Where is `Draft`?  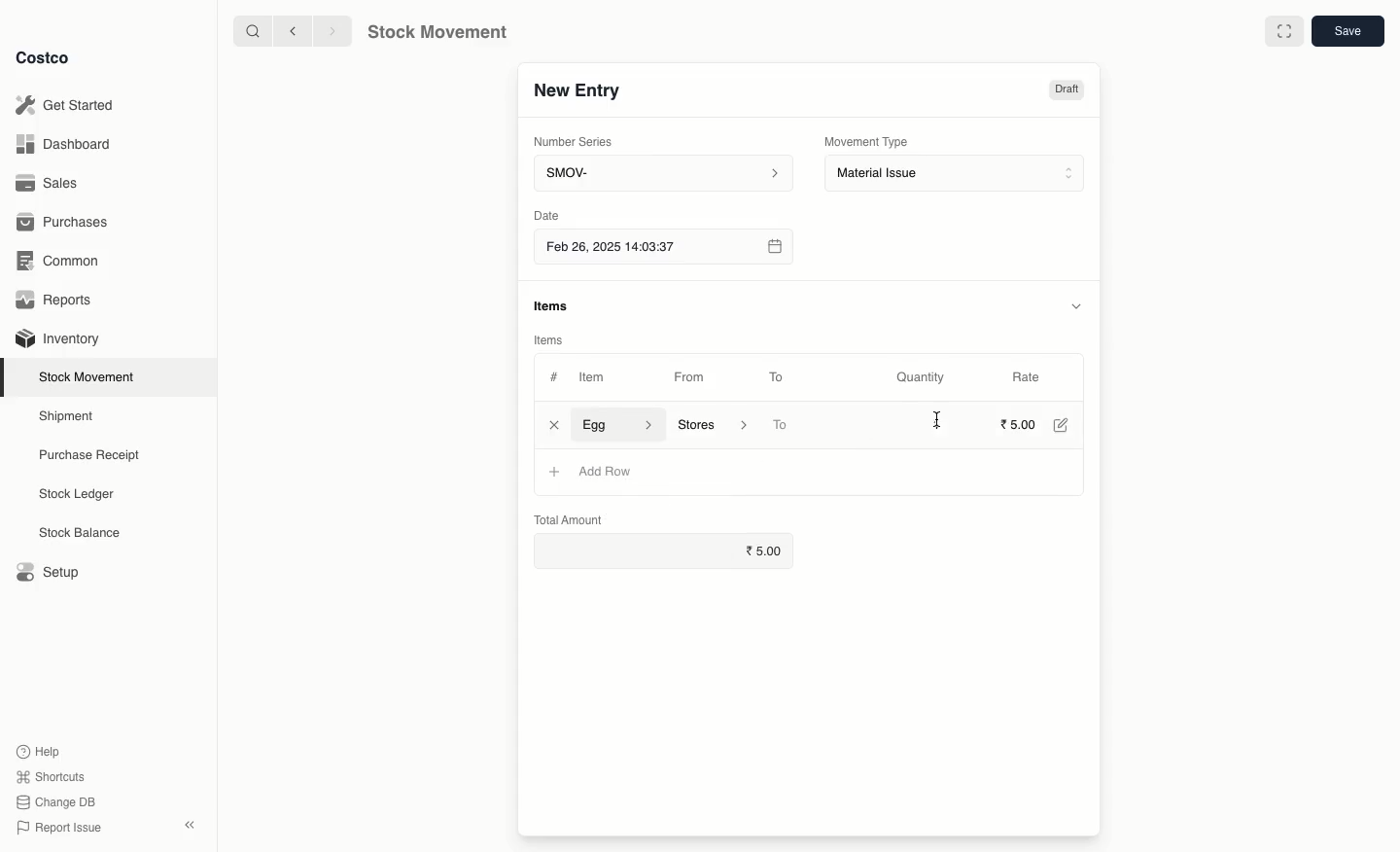 Draft is located at coordinates (1066, 91).